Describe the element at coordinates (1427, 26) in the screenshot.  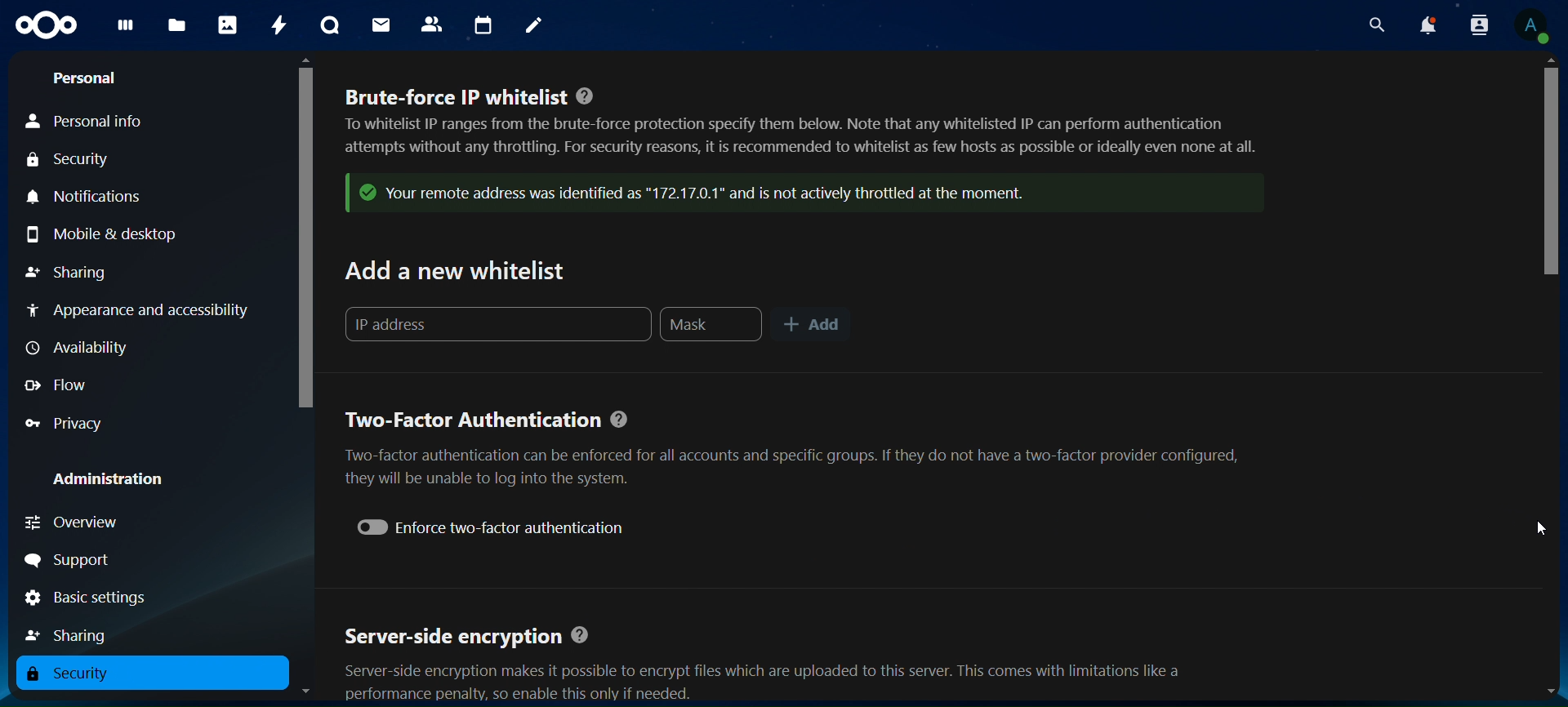
I see `notification` at that location.